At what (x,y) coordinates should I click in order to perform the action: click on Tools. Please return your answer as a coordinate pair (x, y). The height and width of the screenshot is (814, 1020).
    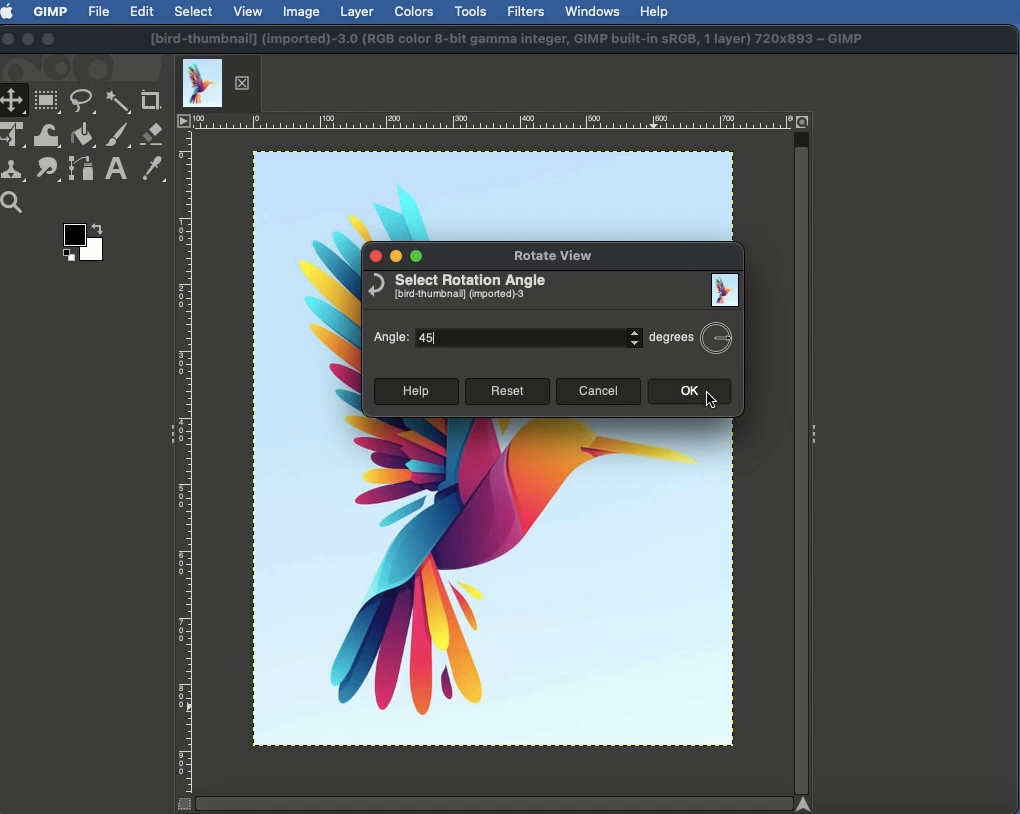
    Looking at the image, I should click on (470, 12).